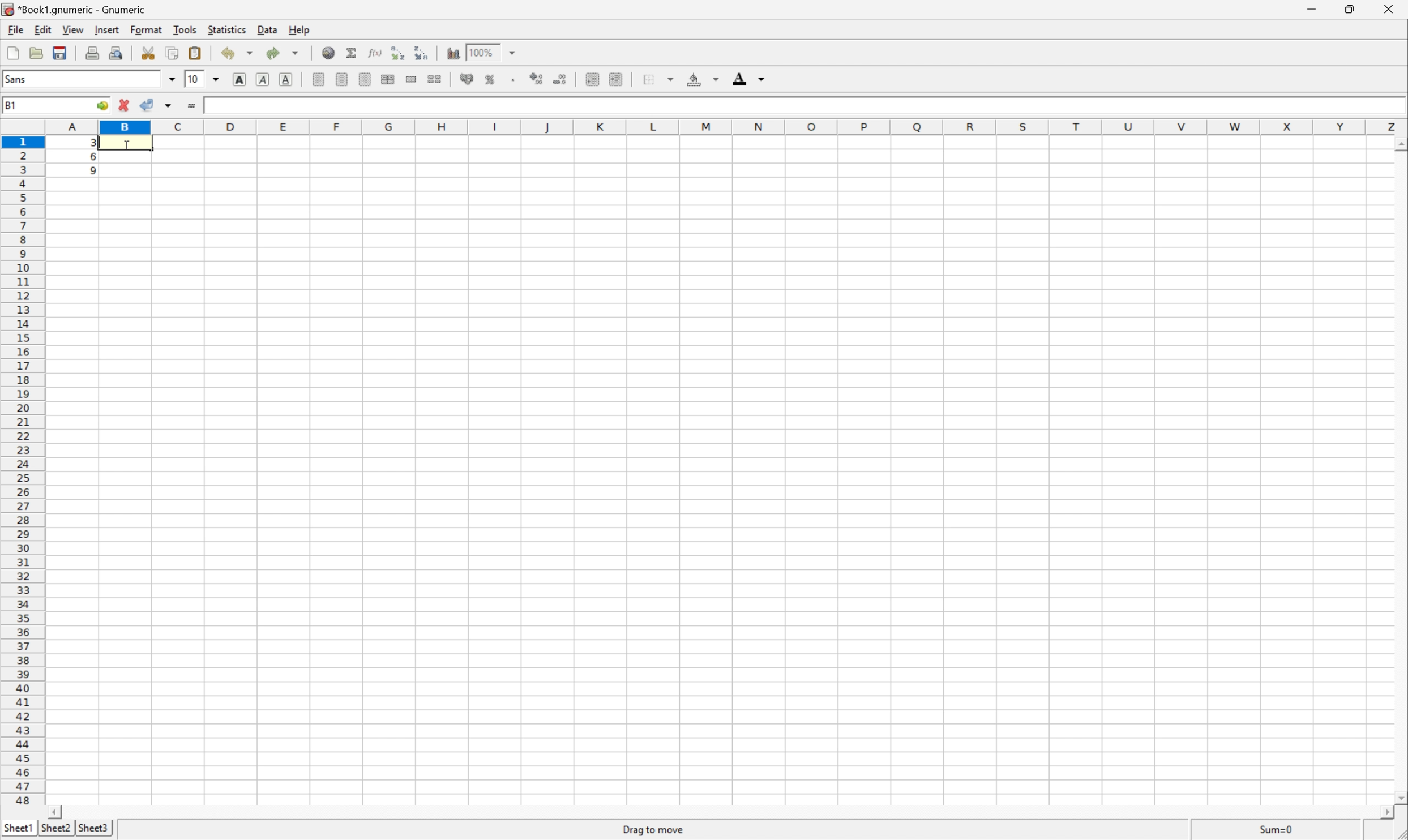  I want to click on 3, so click(209, 105).